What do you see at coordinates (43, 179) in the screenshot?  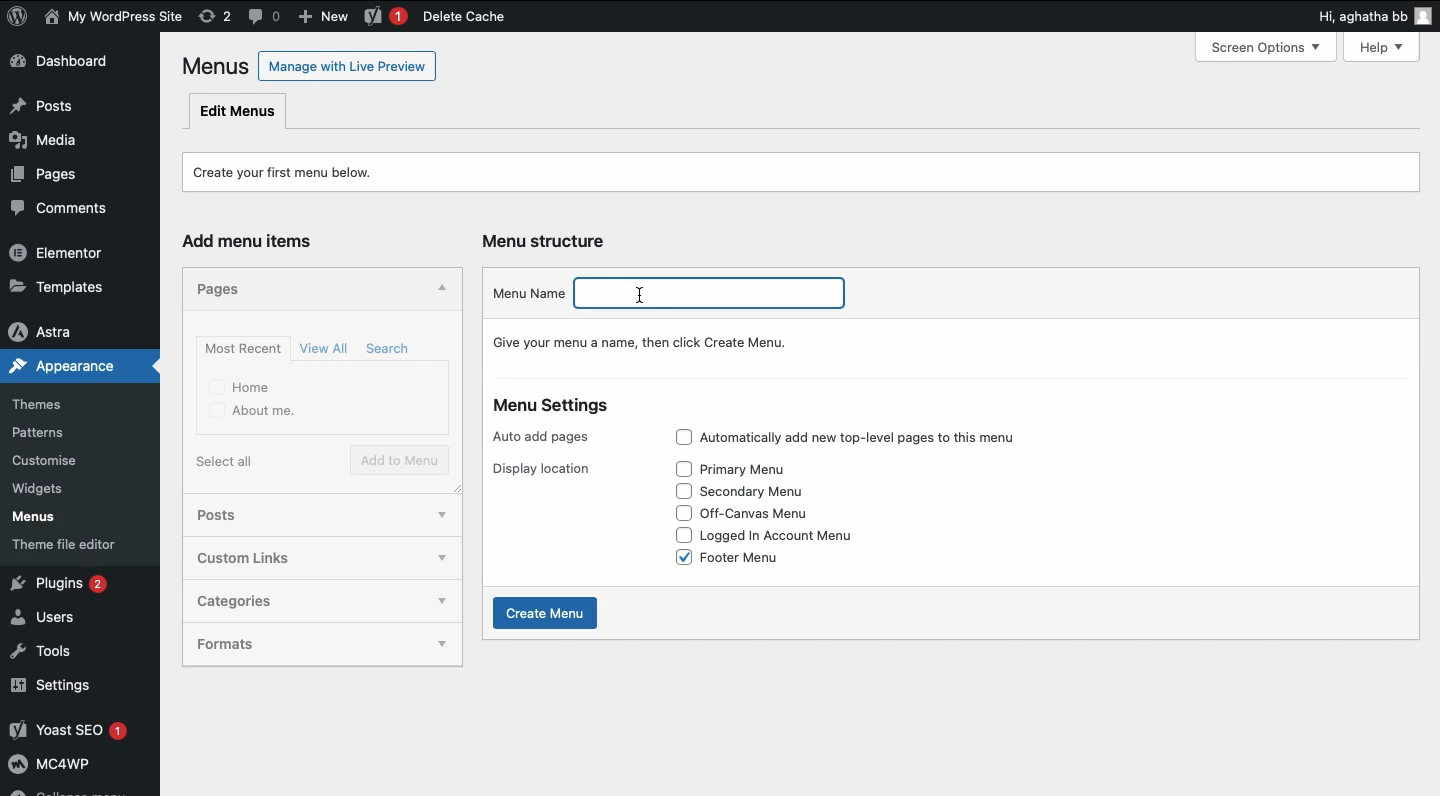 I see `Pages` at bounding box center [43, 179].